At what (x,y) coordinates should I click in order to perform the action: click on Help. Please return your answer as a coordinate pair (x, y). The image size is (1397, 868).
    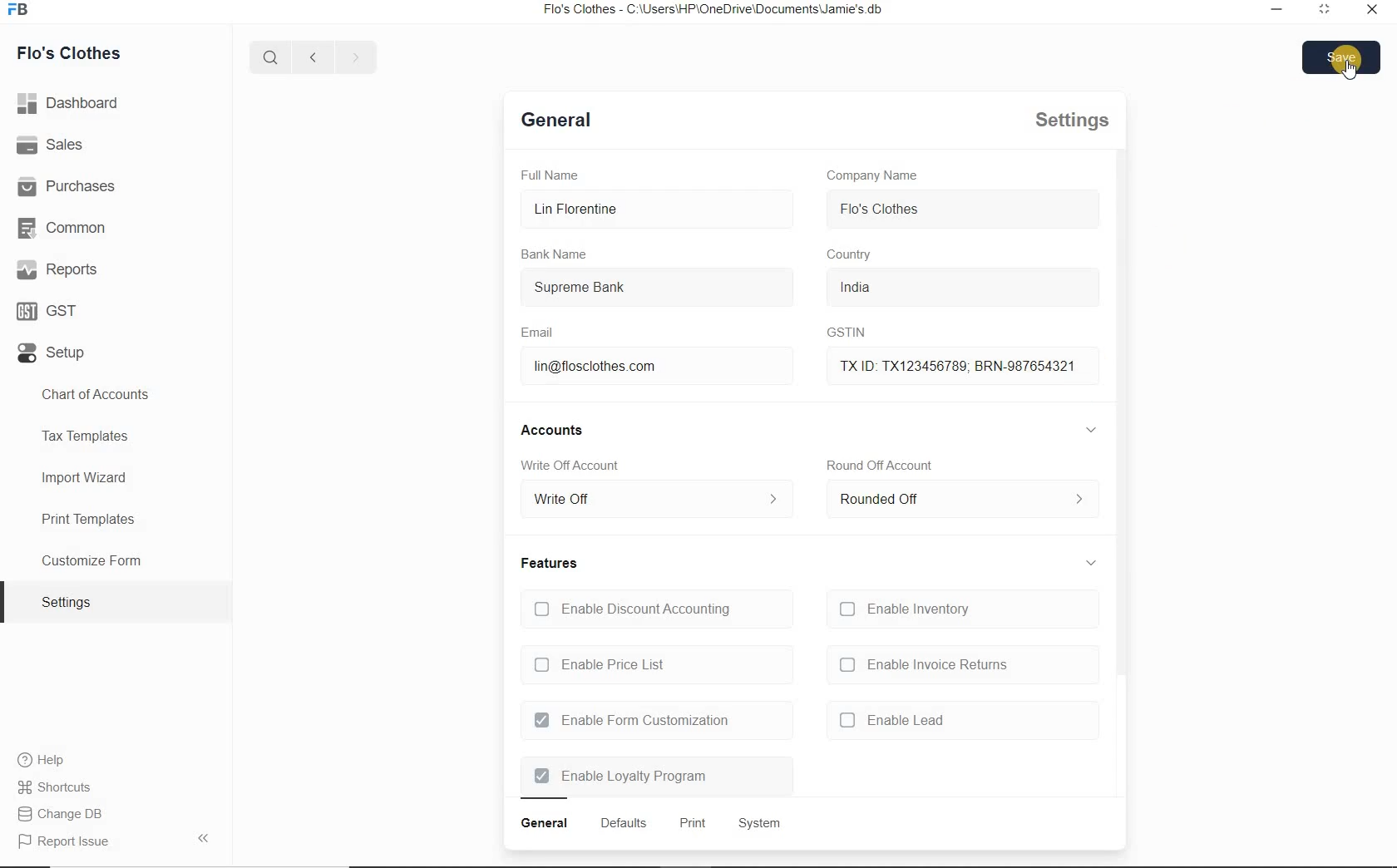
    Looking at the image, I should click on (47, 760).